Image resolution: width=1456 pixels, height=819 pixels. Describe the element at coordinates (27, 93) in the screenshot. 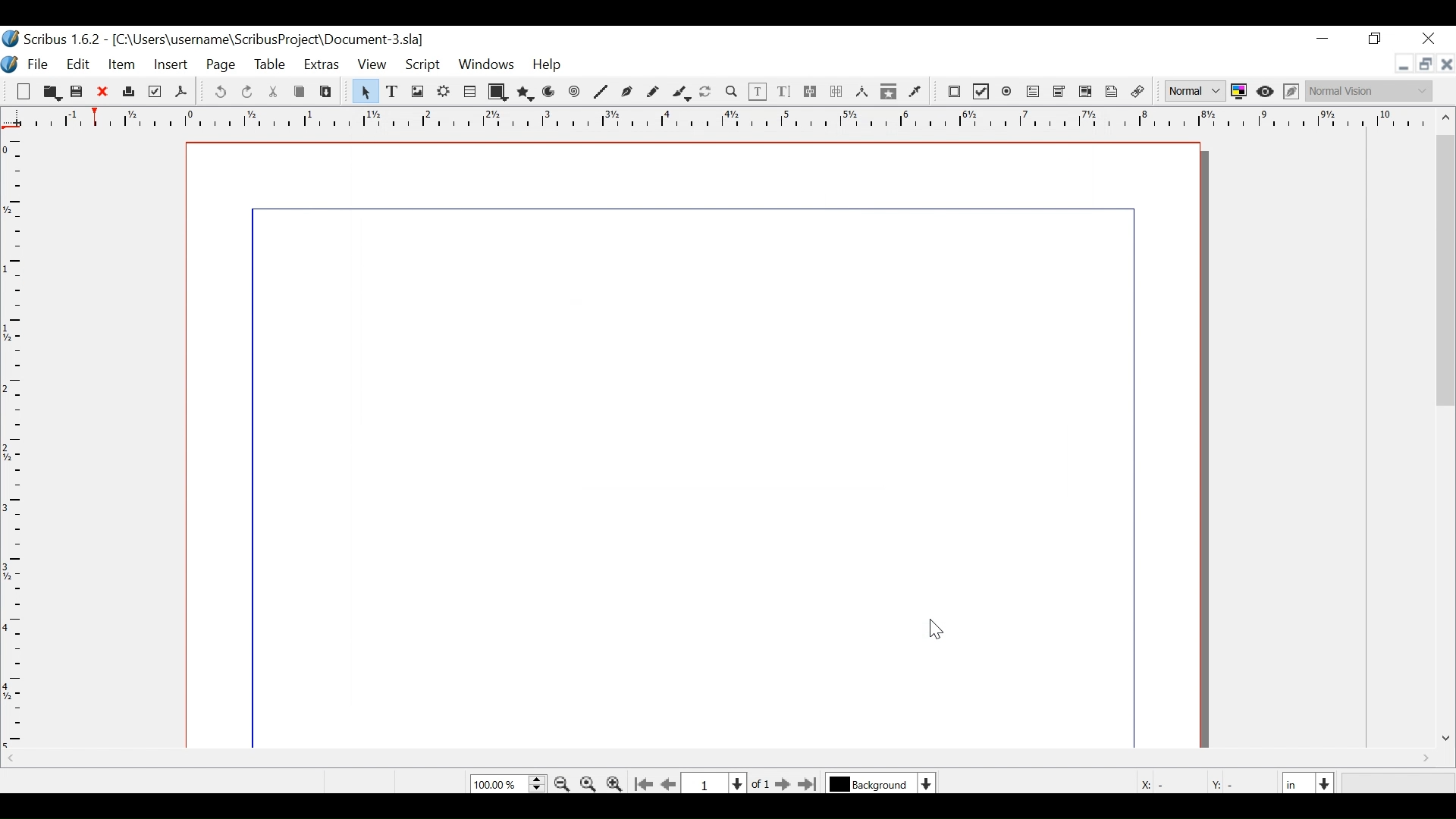

I see `New` at that location.